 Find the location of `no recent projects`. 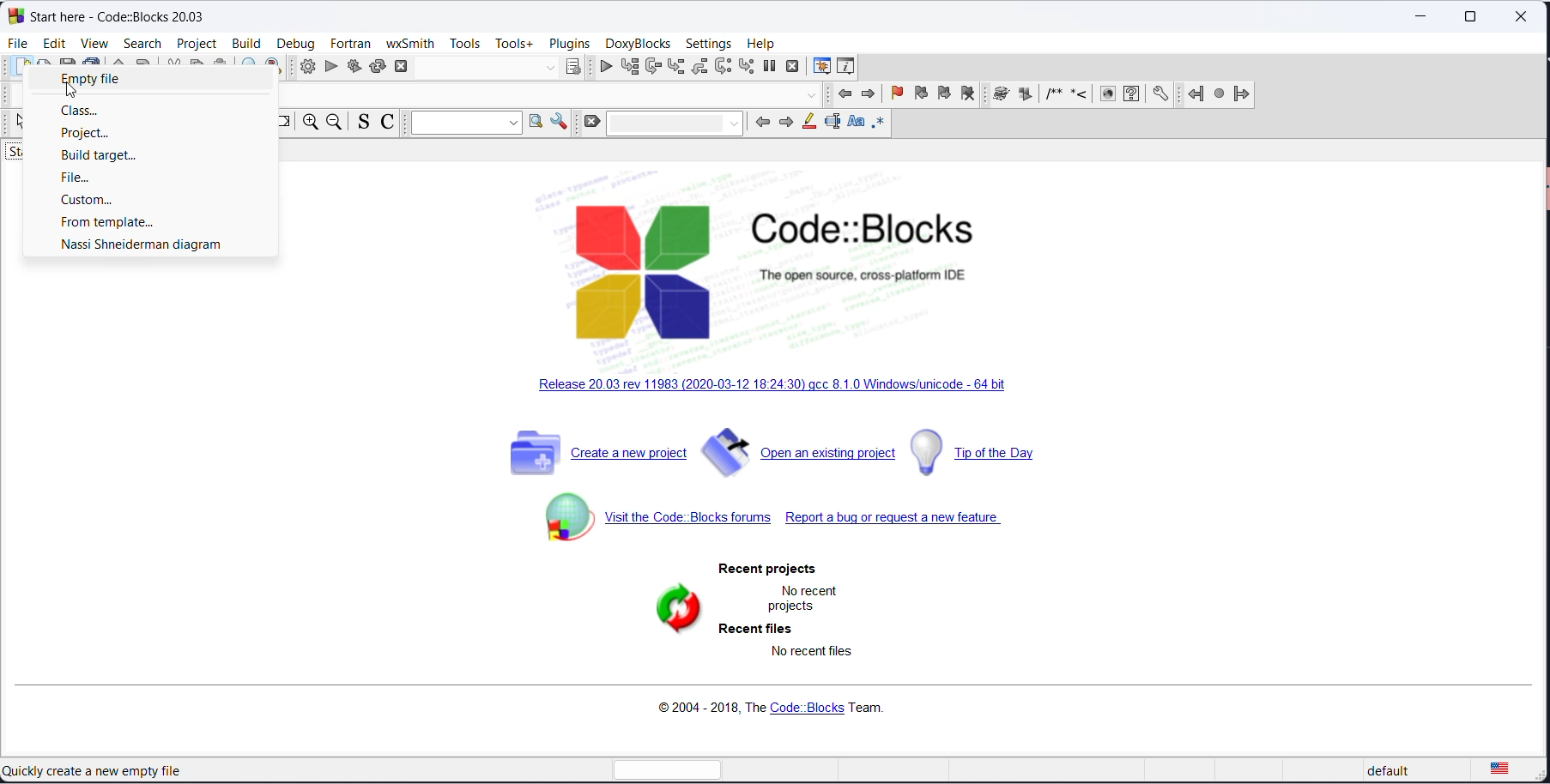

no recent projects is located at coordinates (806, 600).